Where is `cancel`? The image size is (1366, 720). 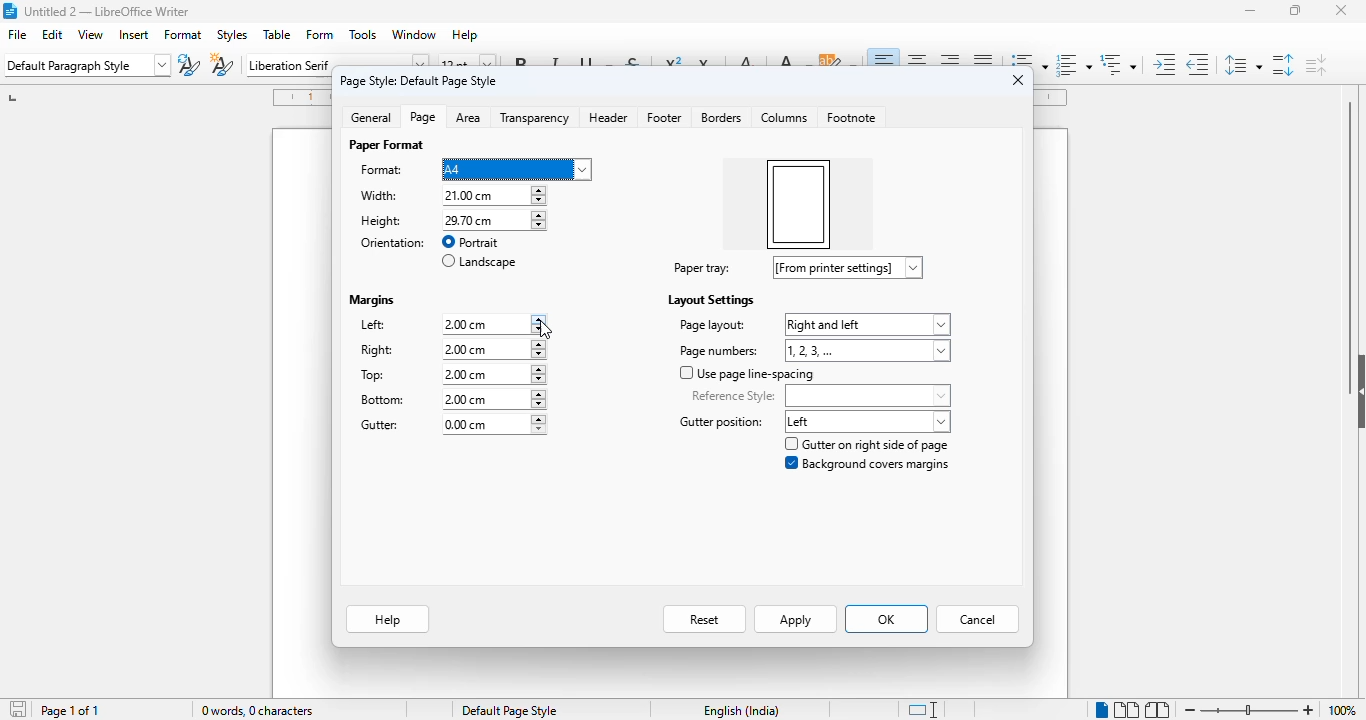
cancel is located at coordinates (977, 620).